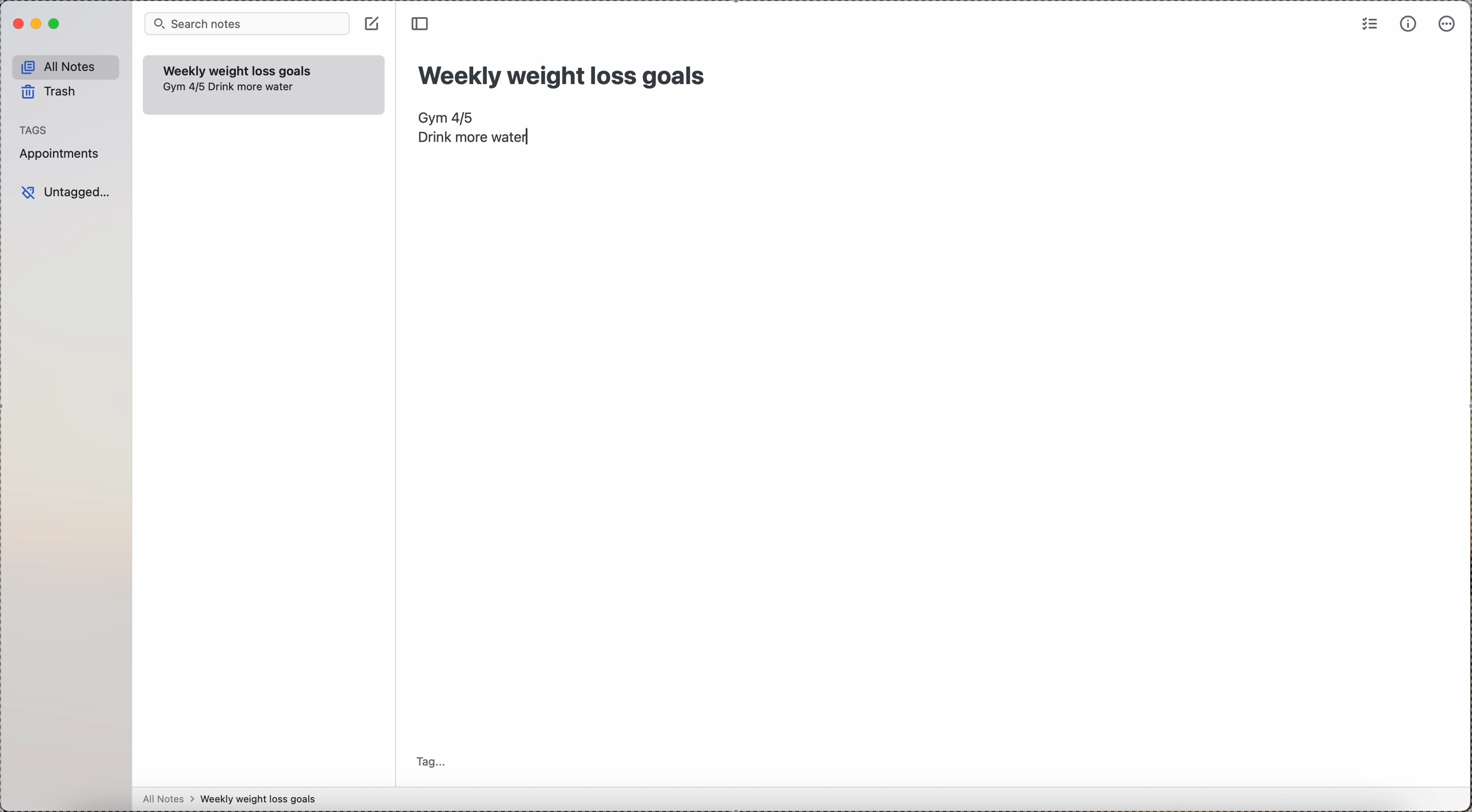 This screenshot has height=812, width=1472. Describe the element at coordinates (66, 66) in the screenshot. I see `all notes` at that location.